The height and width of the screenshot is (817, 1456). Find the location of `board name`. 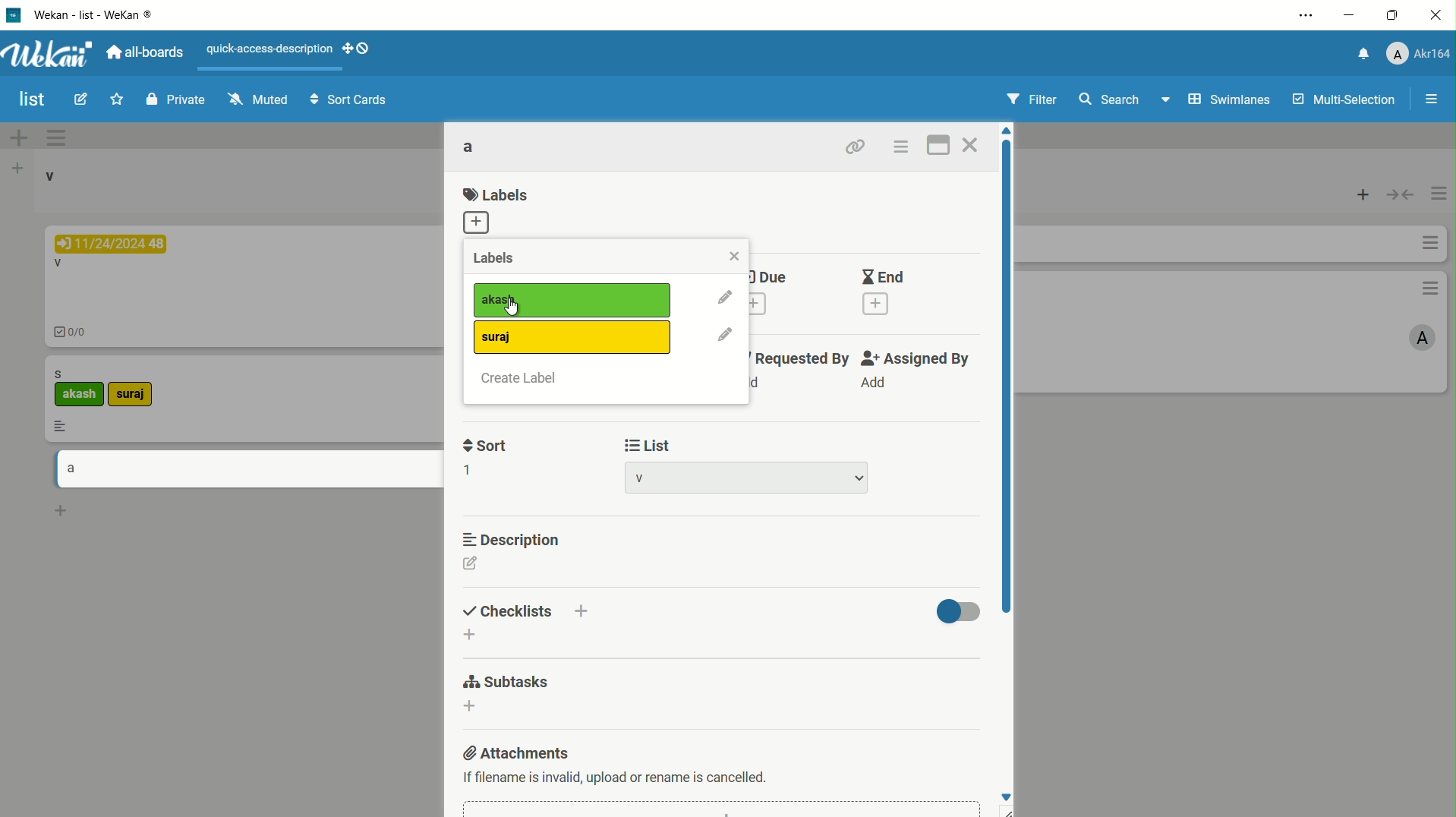

board name is located at coordinates (30, 99).